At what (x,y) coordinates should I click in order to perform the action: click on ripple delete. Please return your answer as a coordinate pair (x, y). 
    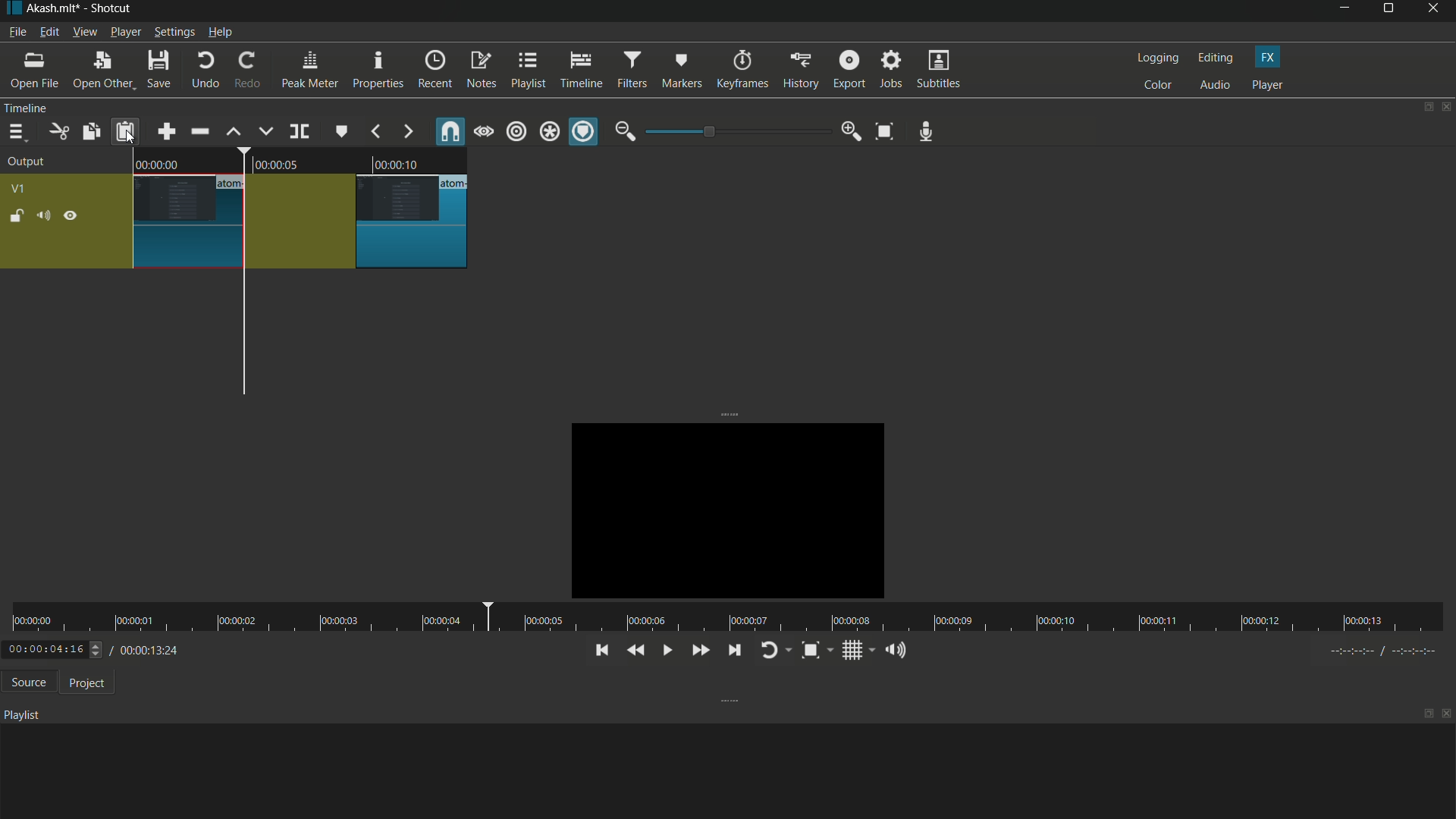
    Looking at the image, I should click on (199, 131).